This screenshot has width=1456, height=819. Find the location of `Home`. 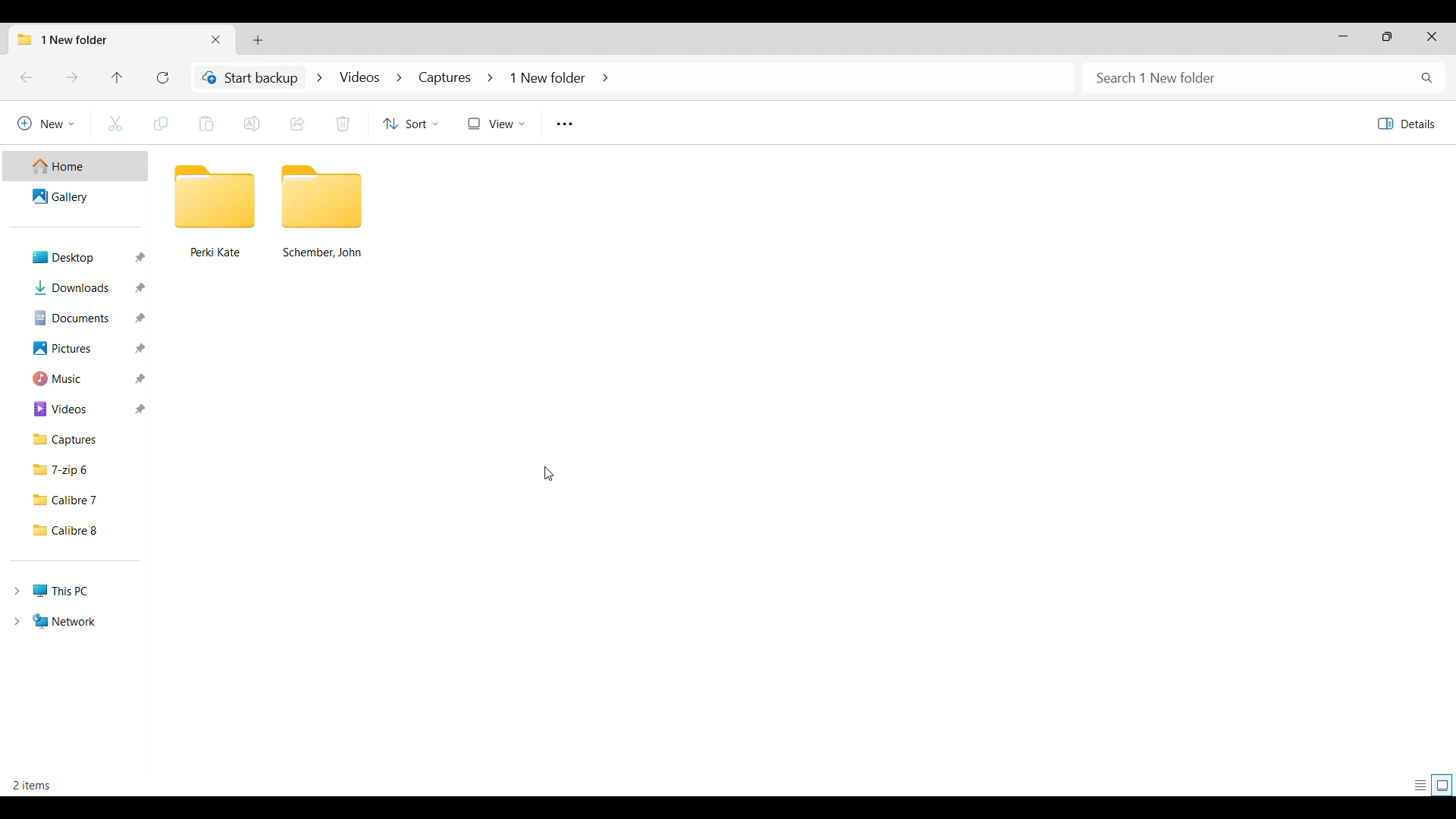

Home is located at coordinates (74, 166).